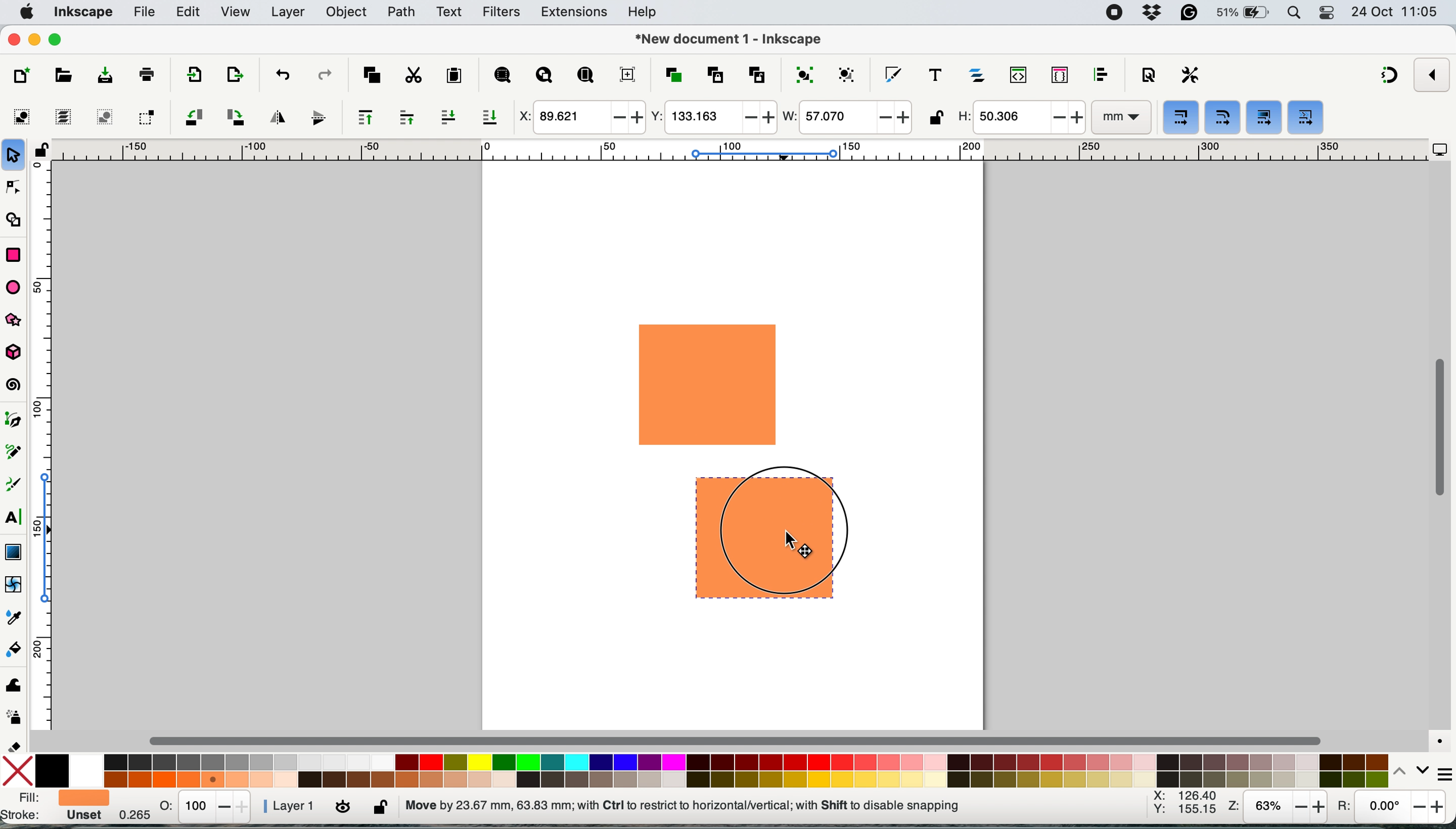  What do you see at coordinates (16, 651) in the screenshot?
I see `paint bucket tool` at bounding box center [16, 651].